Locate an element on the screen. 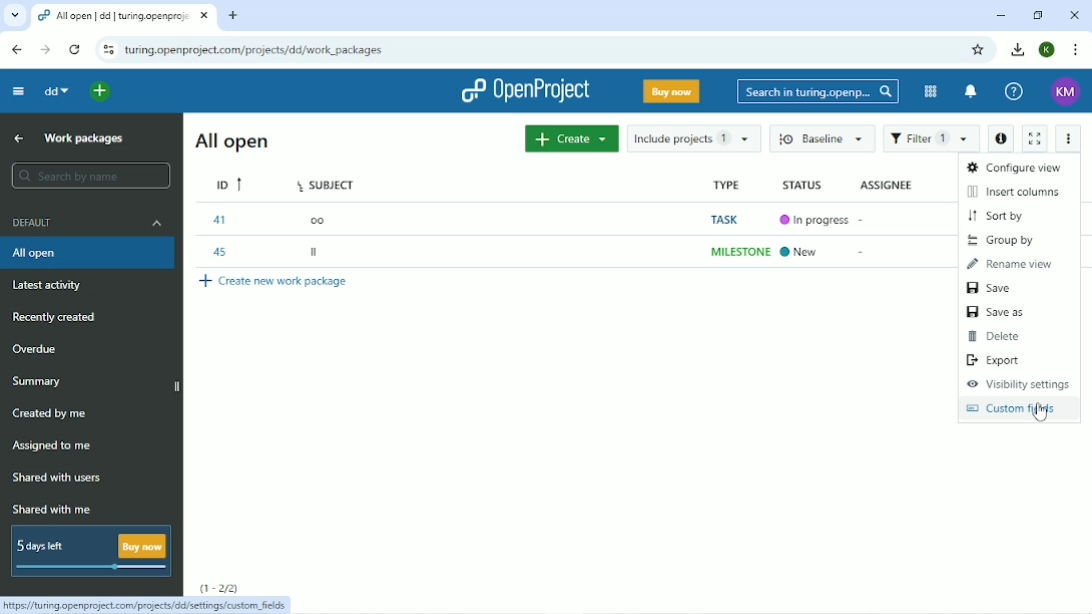 The image size is (1092, 614). Activate zen mode is located at coordinates (1035, 138).